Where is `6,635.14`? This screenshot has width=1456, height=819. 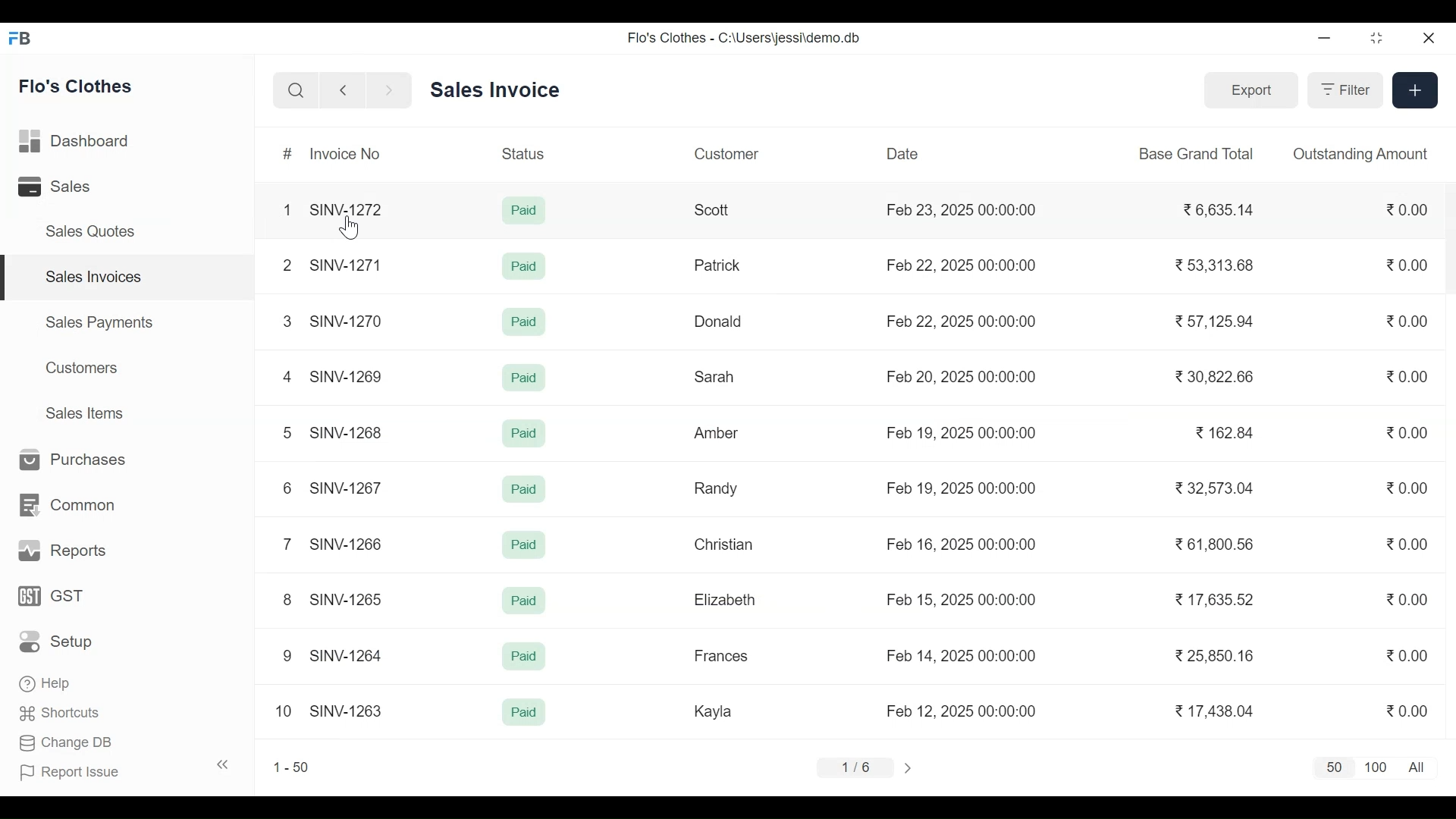
6,635.14 is located at coordinates (1218, 209).